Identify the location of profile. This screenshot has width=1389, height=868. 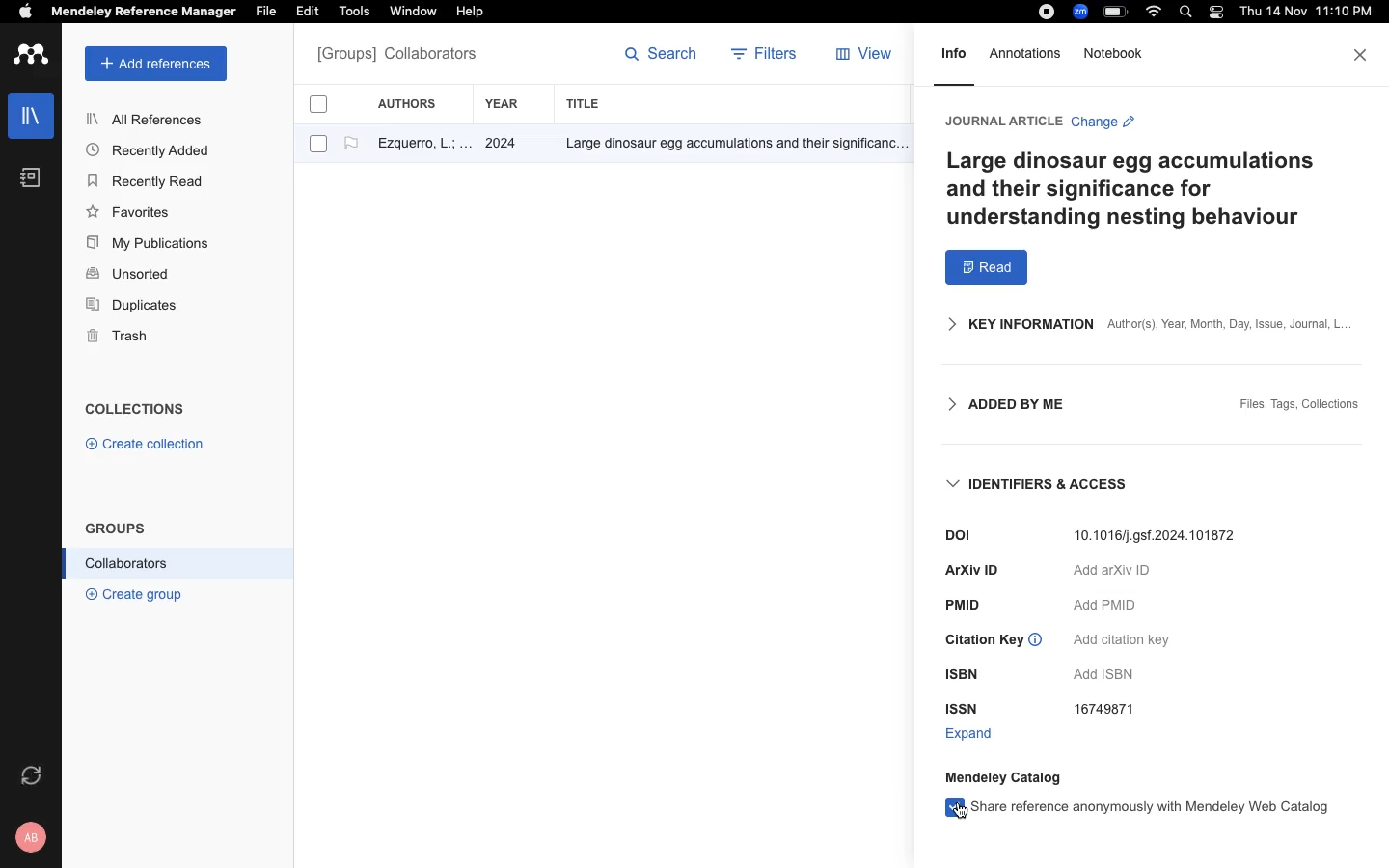
(34, 837).